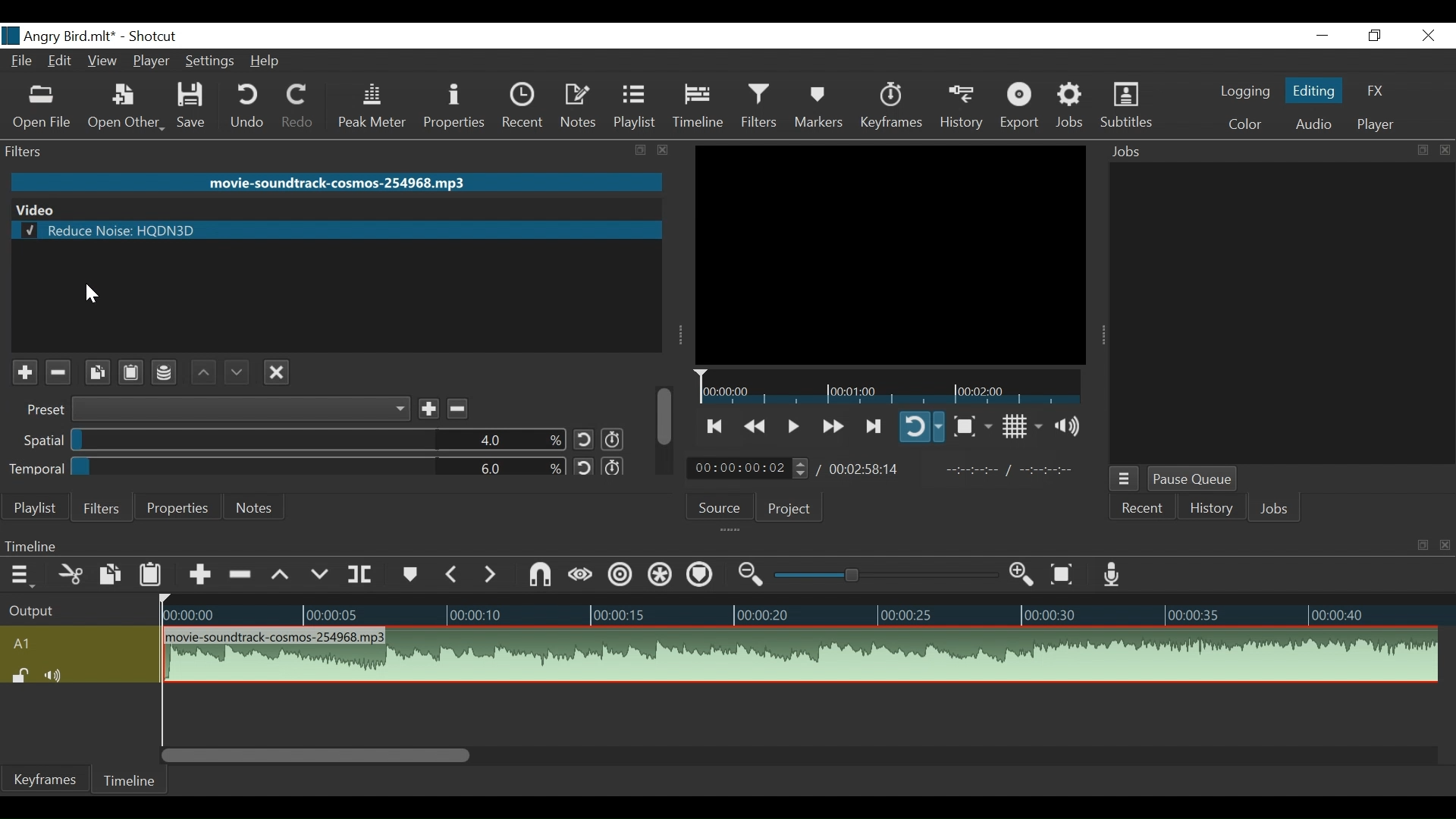 Image resolution: width=1456 pixels, height=819 pixels. What do you see at coordinates (881, 576) in the screenshot?
I see `Zoom slider` at bounding box center [881, 576].